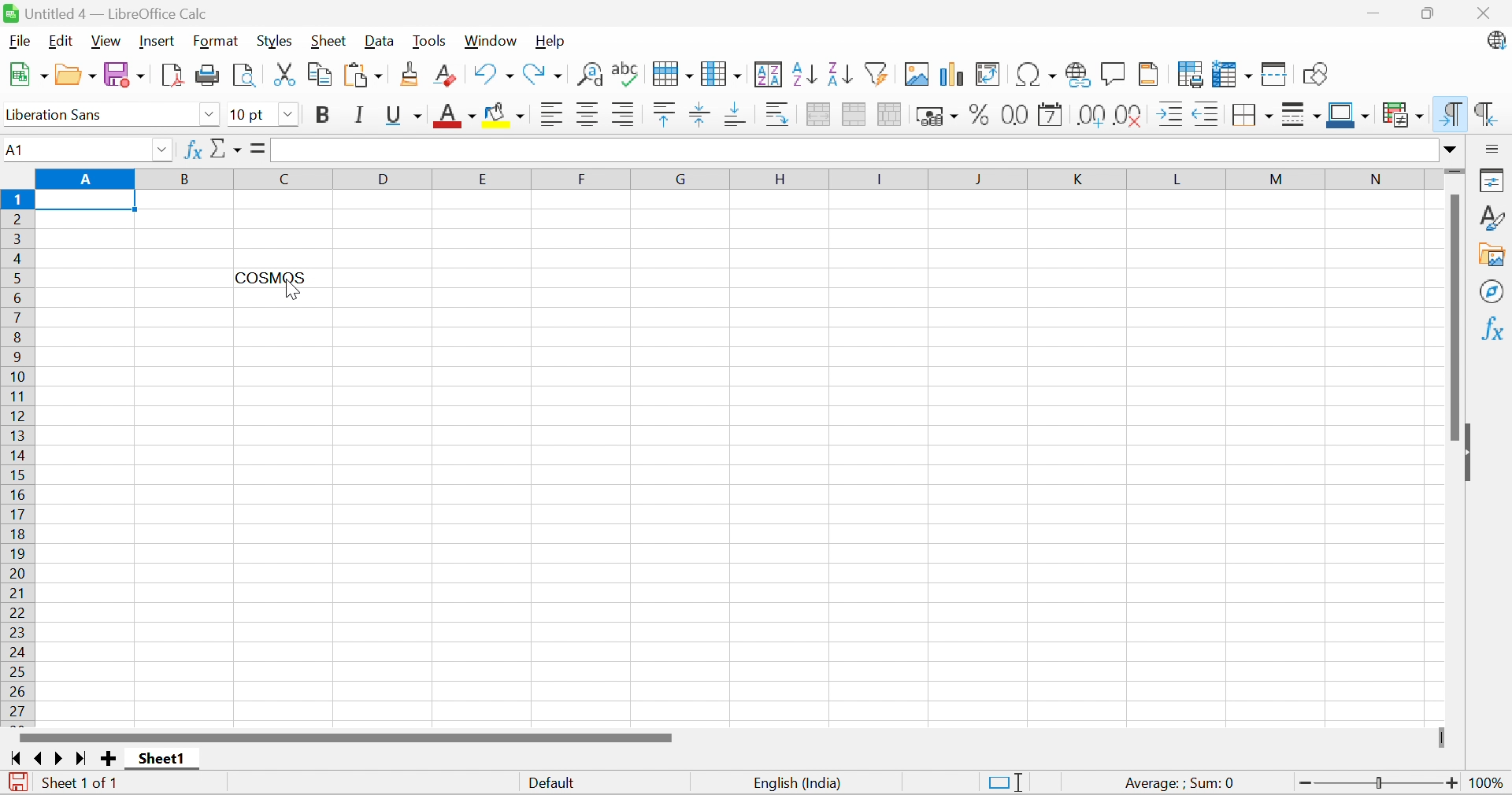  I want to click on Add Decimal Place, so click(1092, 115).